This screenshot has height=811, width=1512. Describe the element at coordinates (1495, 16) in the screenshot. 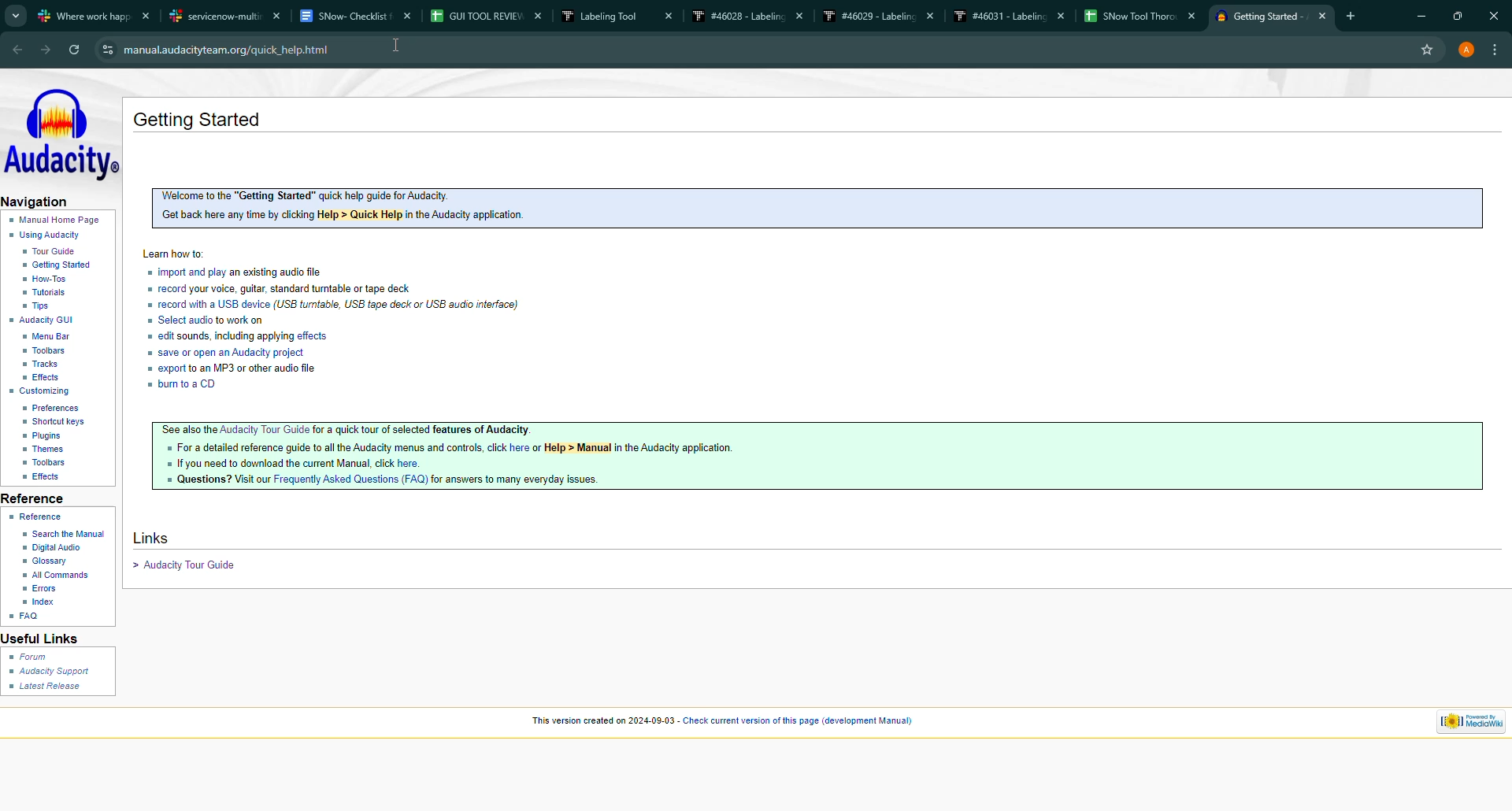

I see `close` at that location.